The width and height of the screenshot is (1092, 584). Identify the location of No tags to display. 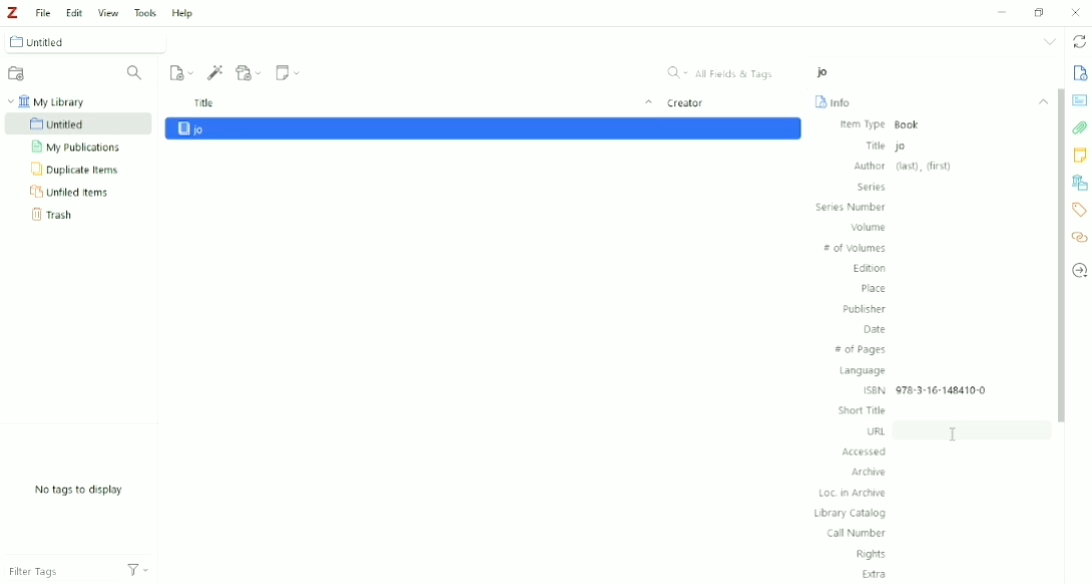
(85, 489).